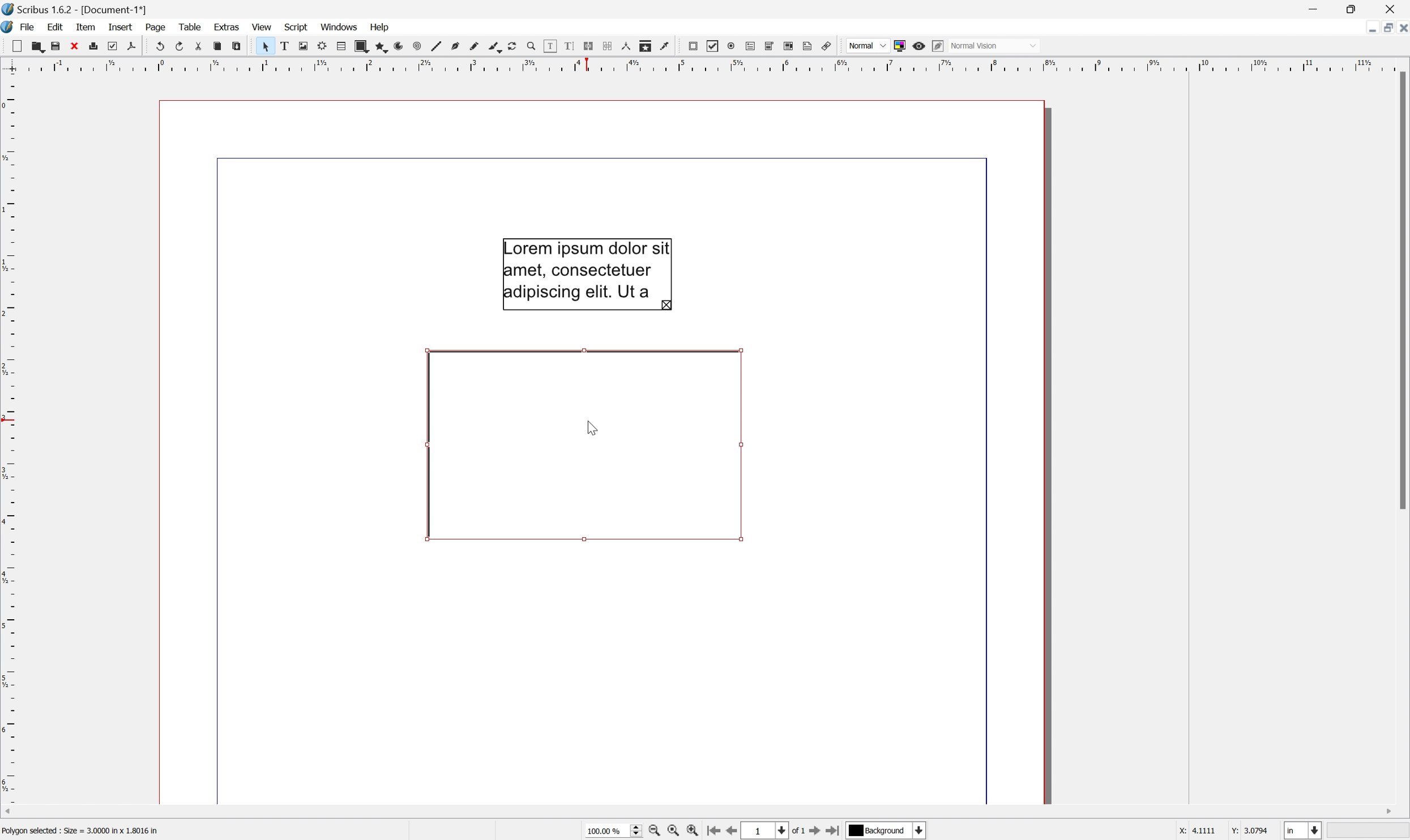  I want to click on PDF radio button, so click(730, 46).